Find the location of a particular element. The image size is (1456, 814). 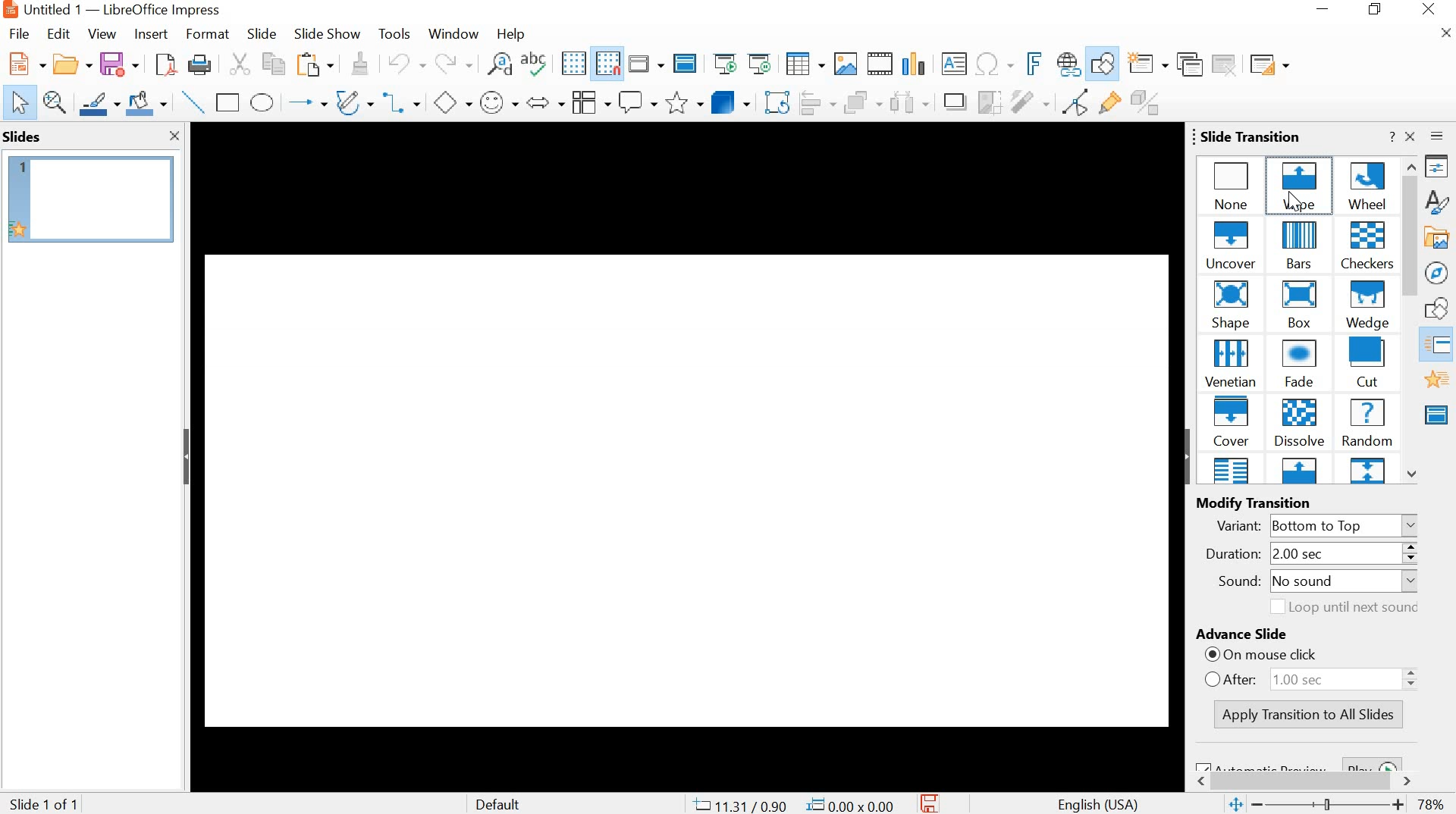

Insert hyperlink is located at coordinates (1068, 65).